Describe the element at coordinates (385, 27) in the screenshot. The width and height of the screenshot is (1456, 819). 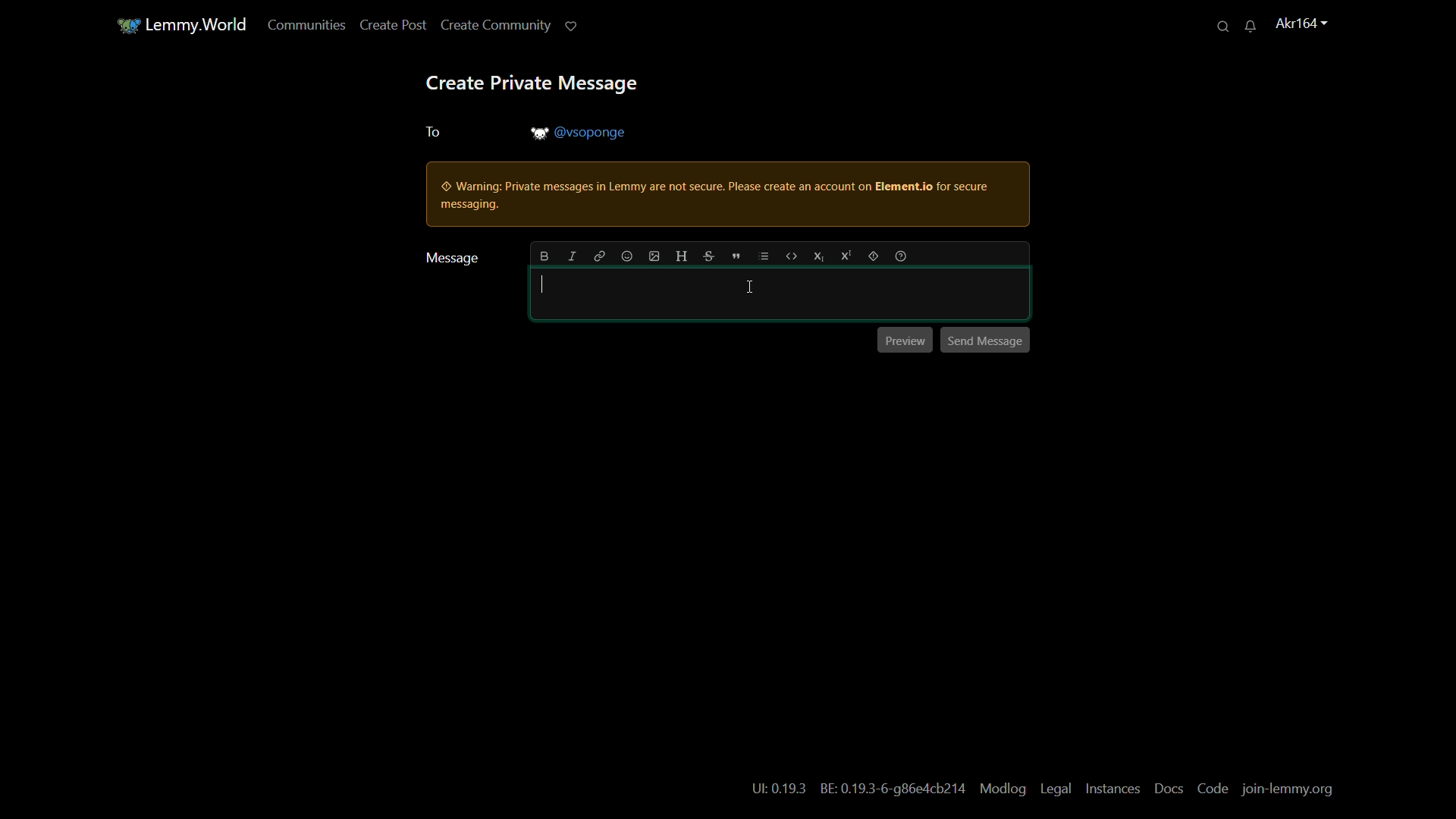
I see `create post` at that location.